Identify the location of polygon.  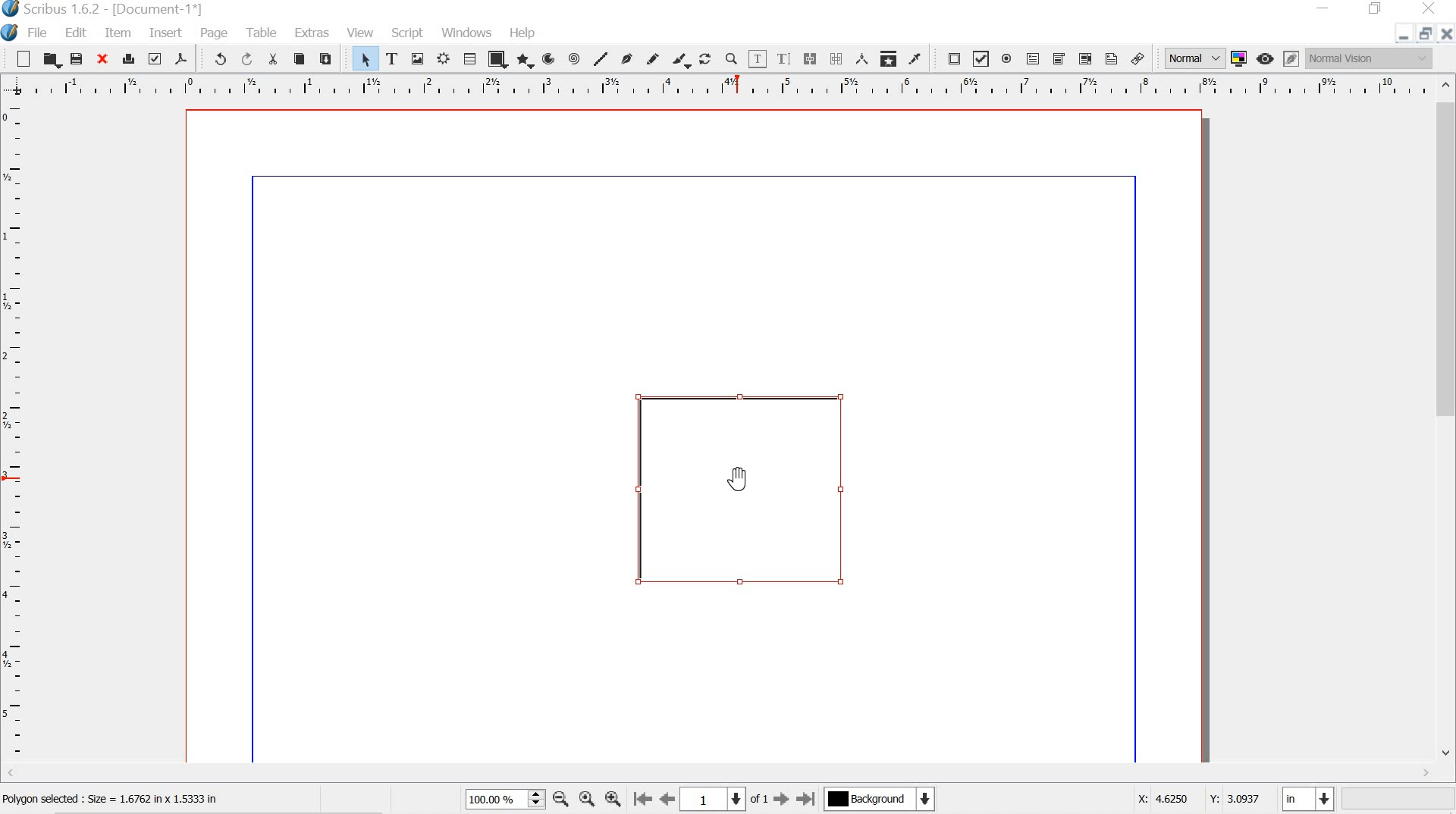
(523, 61).